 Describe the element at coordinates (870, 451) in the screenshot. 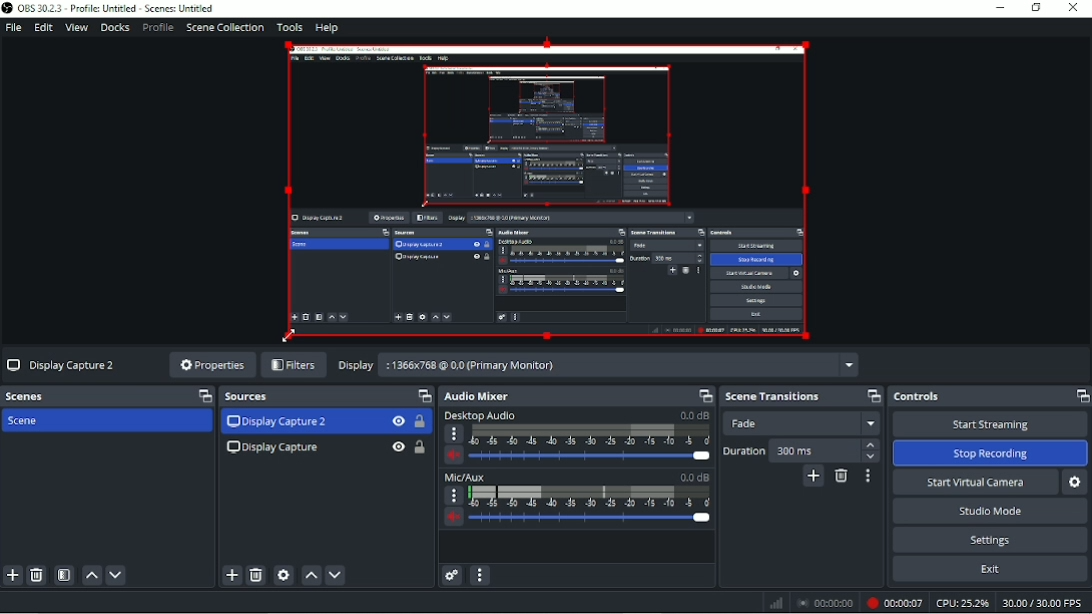

I see `stepper buttons` at that location.